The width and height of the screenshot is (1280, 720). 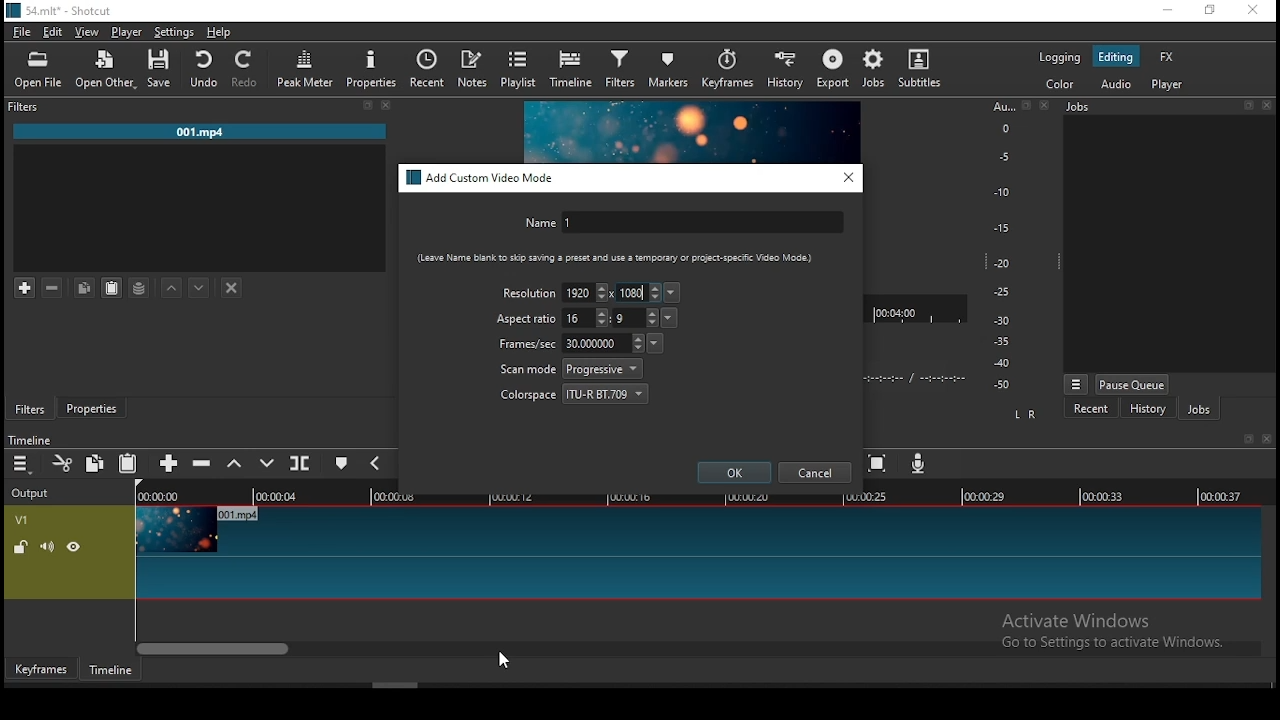 I want to click on timeline menu, so click(x=24, y=464).